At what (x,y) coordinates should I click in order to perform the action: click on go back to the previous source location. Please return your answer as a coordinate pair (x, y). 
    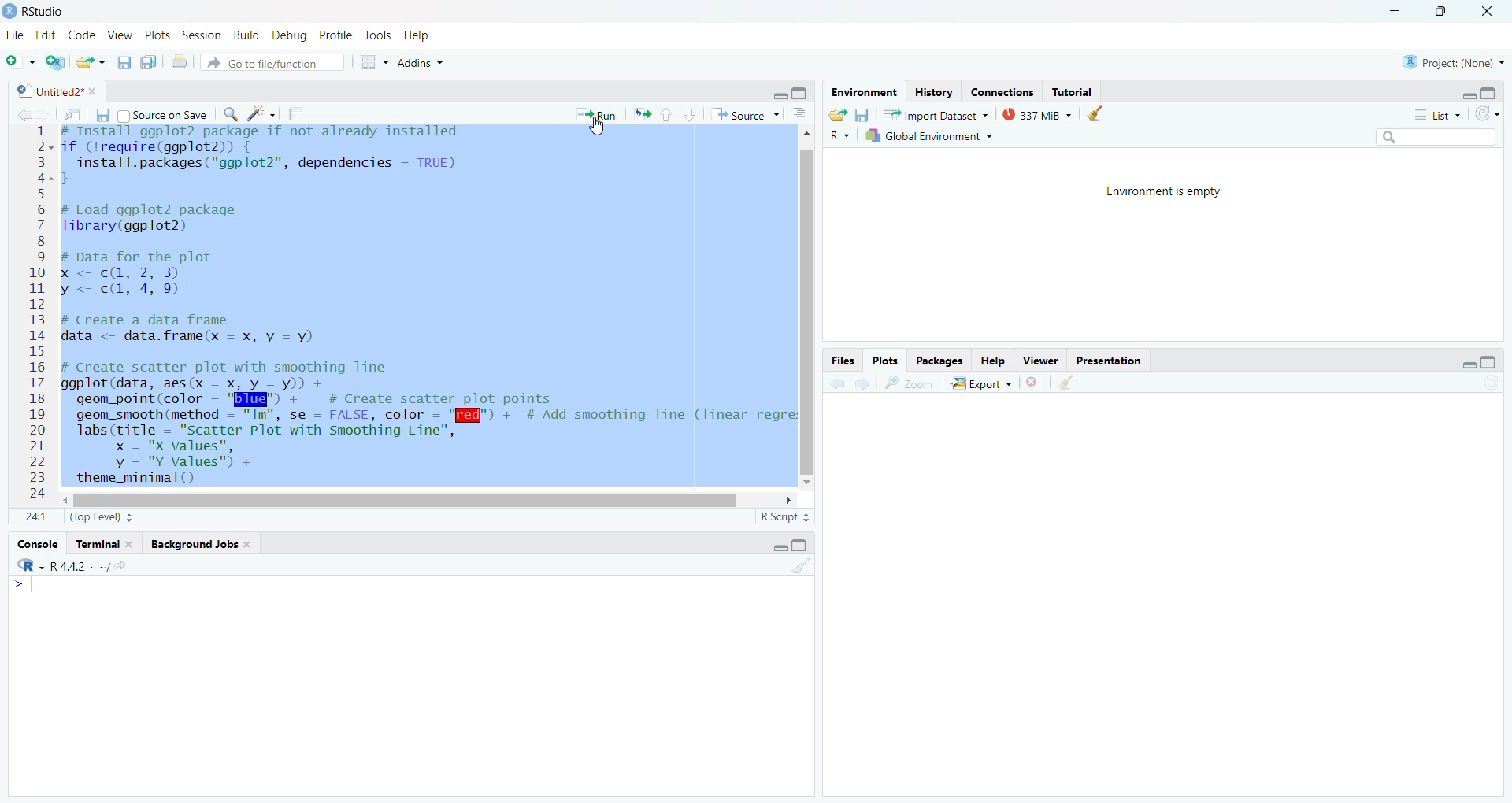
    Looking at the image, I should click on (25, 113).